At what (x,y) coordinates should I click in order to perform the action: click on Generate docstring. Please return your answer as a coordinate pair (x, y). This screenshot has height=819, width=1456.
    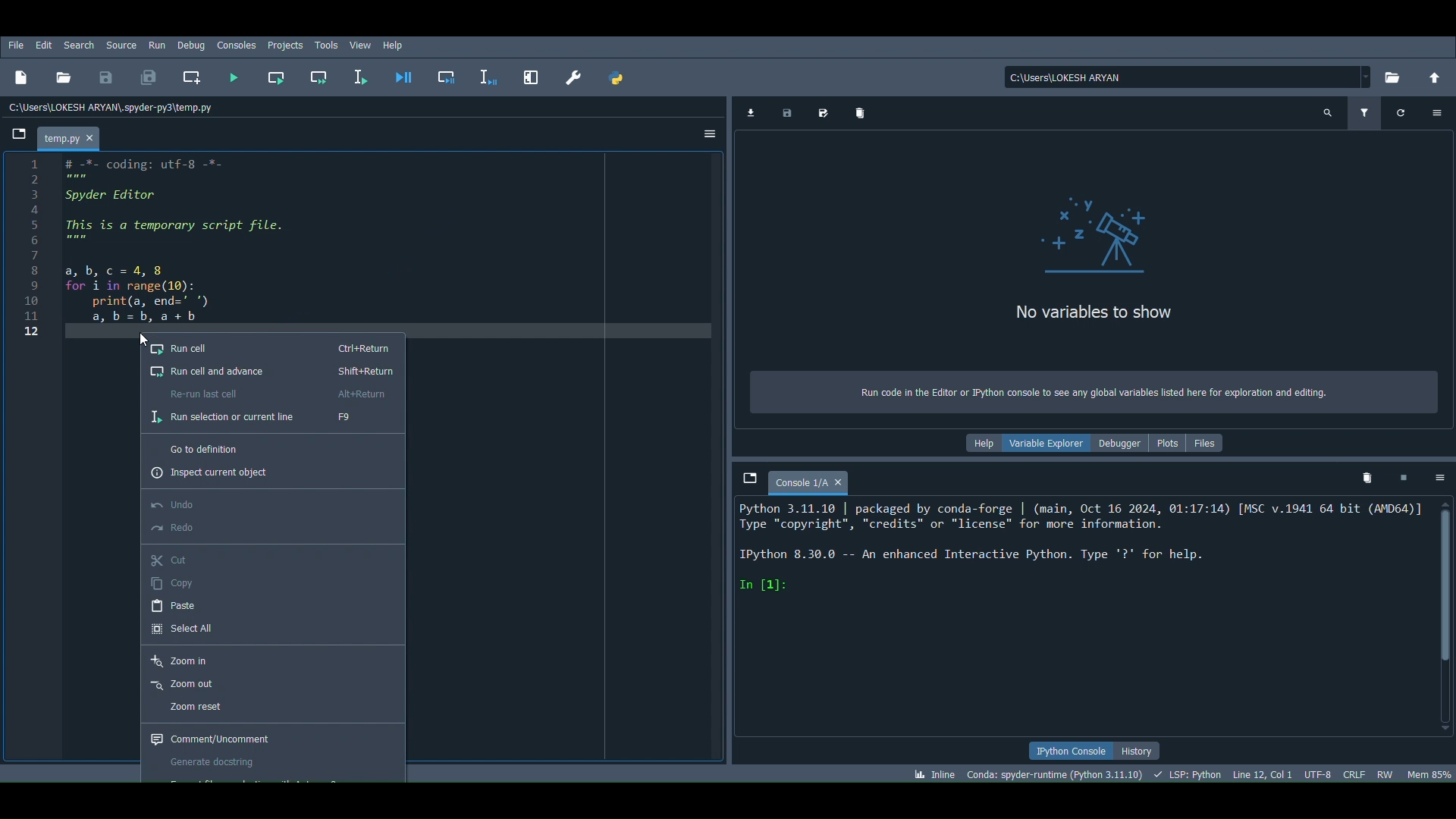
    Looking at the image, I should click on (271, 761).